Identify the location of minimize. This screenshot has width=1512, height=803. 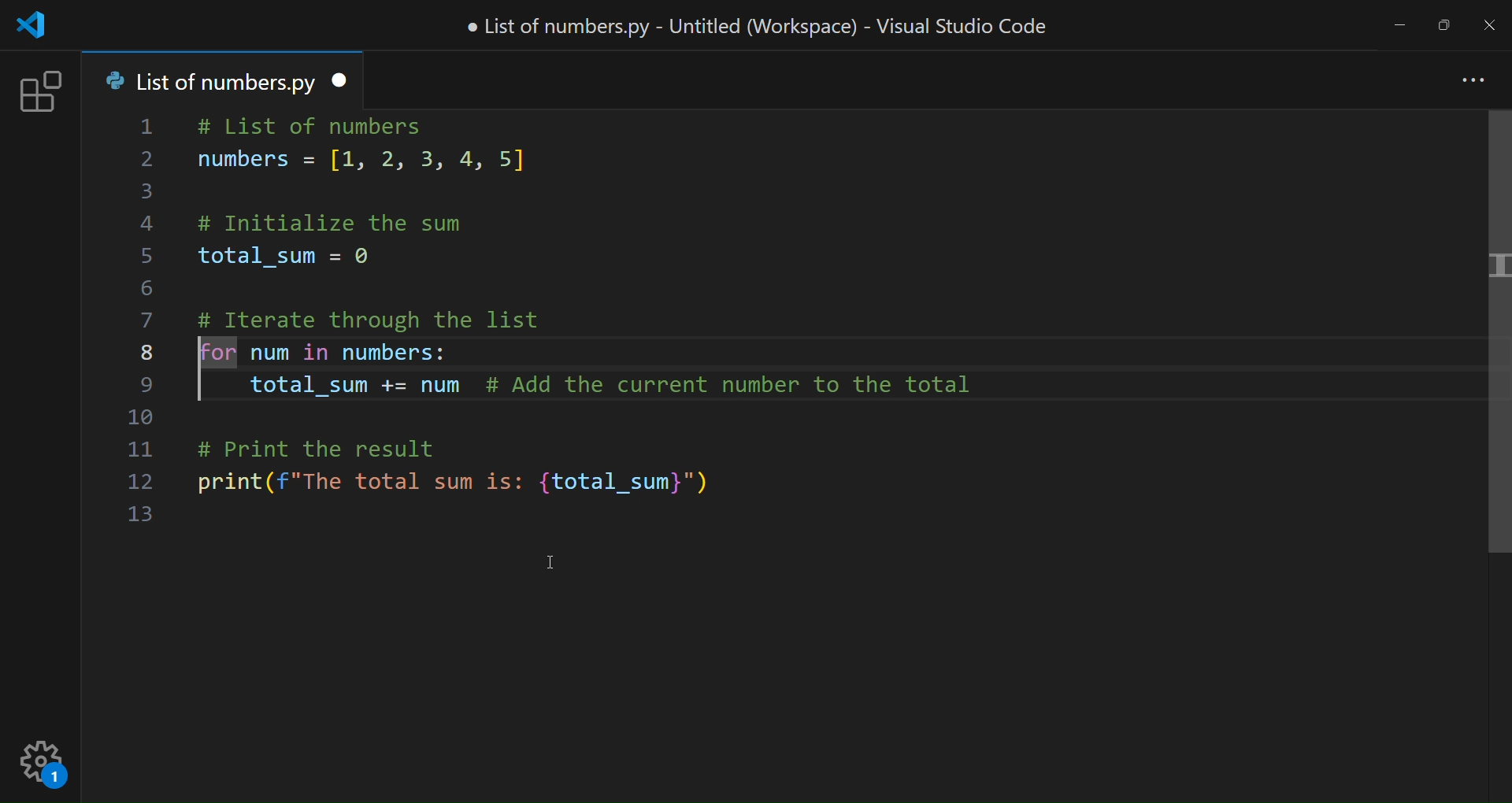
(1401, 24).